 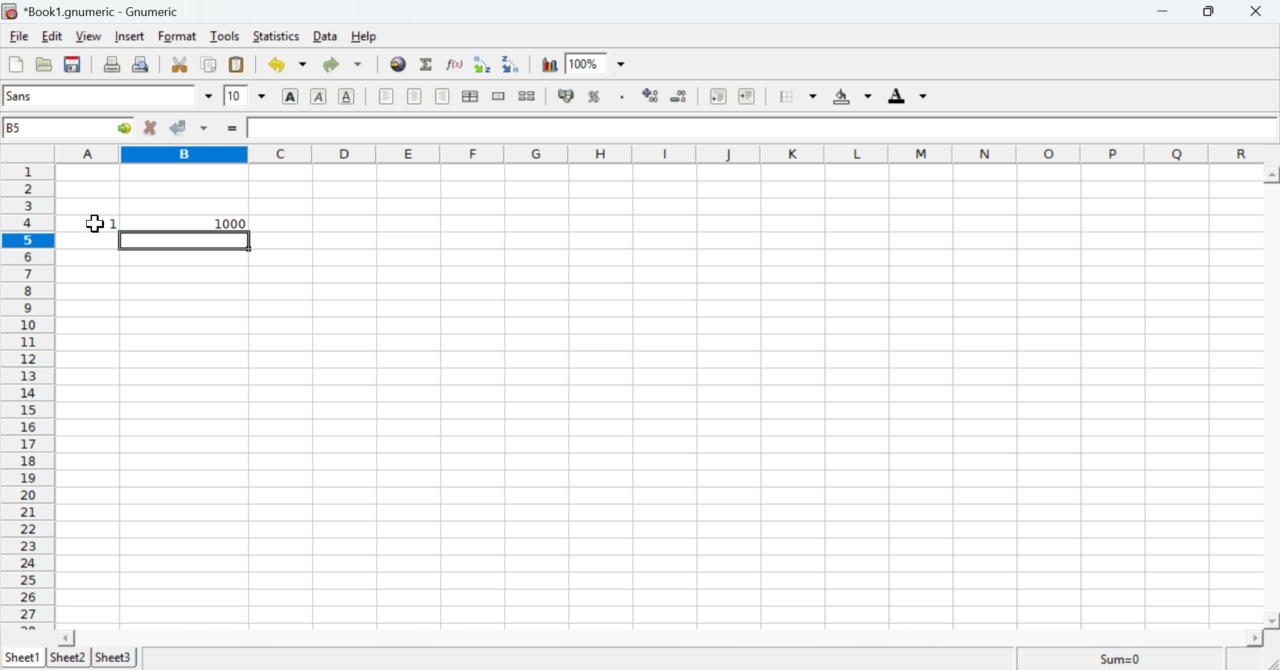 I want to click on Accept change, so click(x=189, y=128).